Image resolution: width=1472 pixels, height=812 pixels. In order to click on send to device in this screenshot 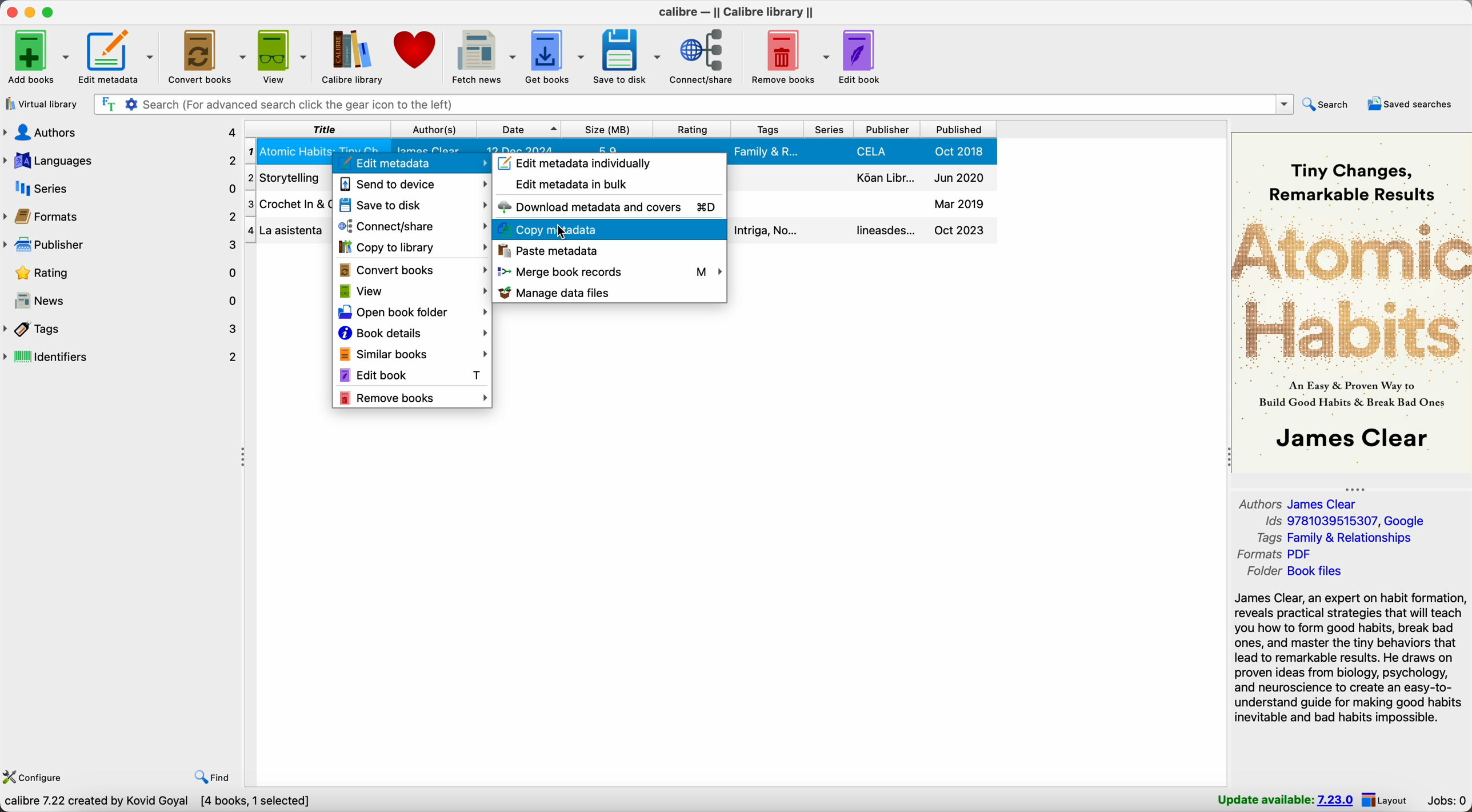, I will do `click(415, 187)`.